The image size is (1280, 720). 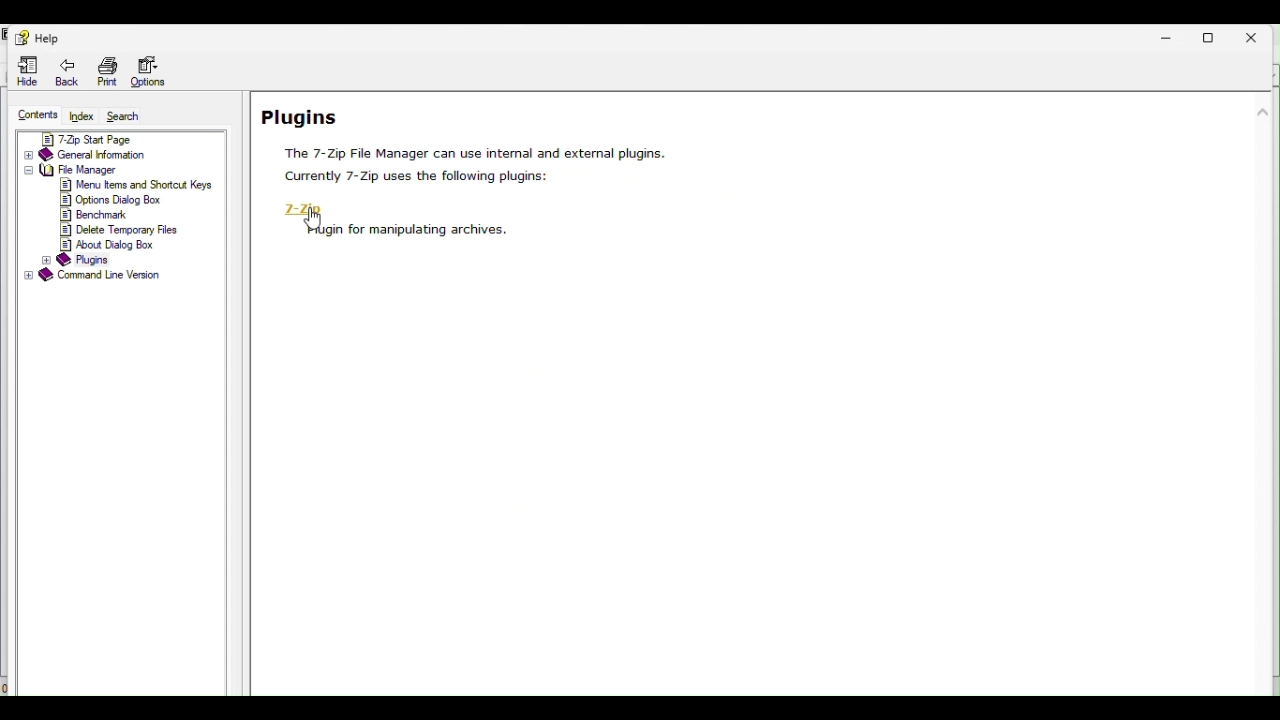 What do you see at coordinates (101, 215) in the screenshot?
I see `benchmark` at bounding box center [101, 215].